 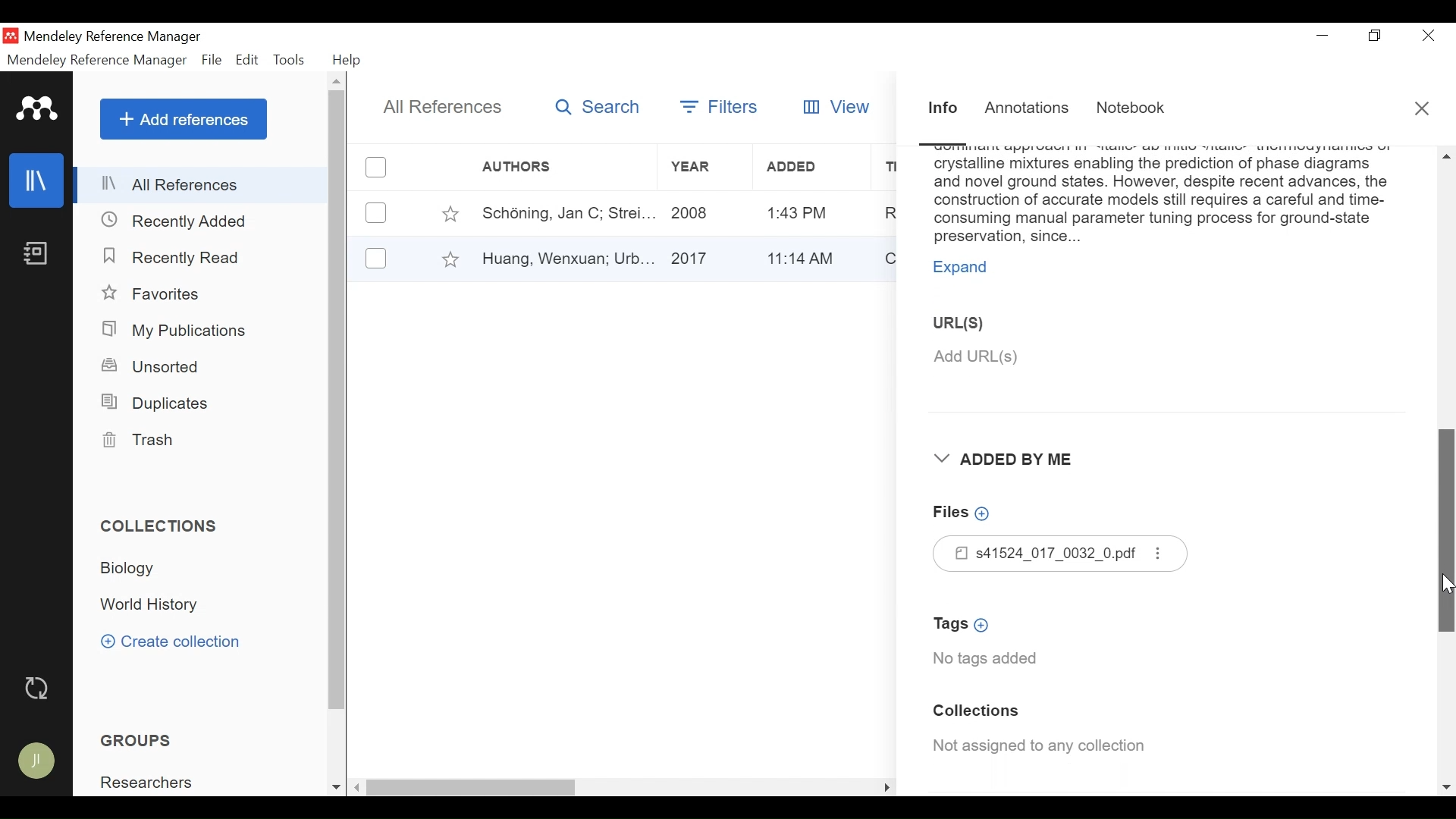 What do you see at coordinates (542, 167) in the screenshot?
I see `Author` at bounding box center [542, 167].